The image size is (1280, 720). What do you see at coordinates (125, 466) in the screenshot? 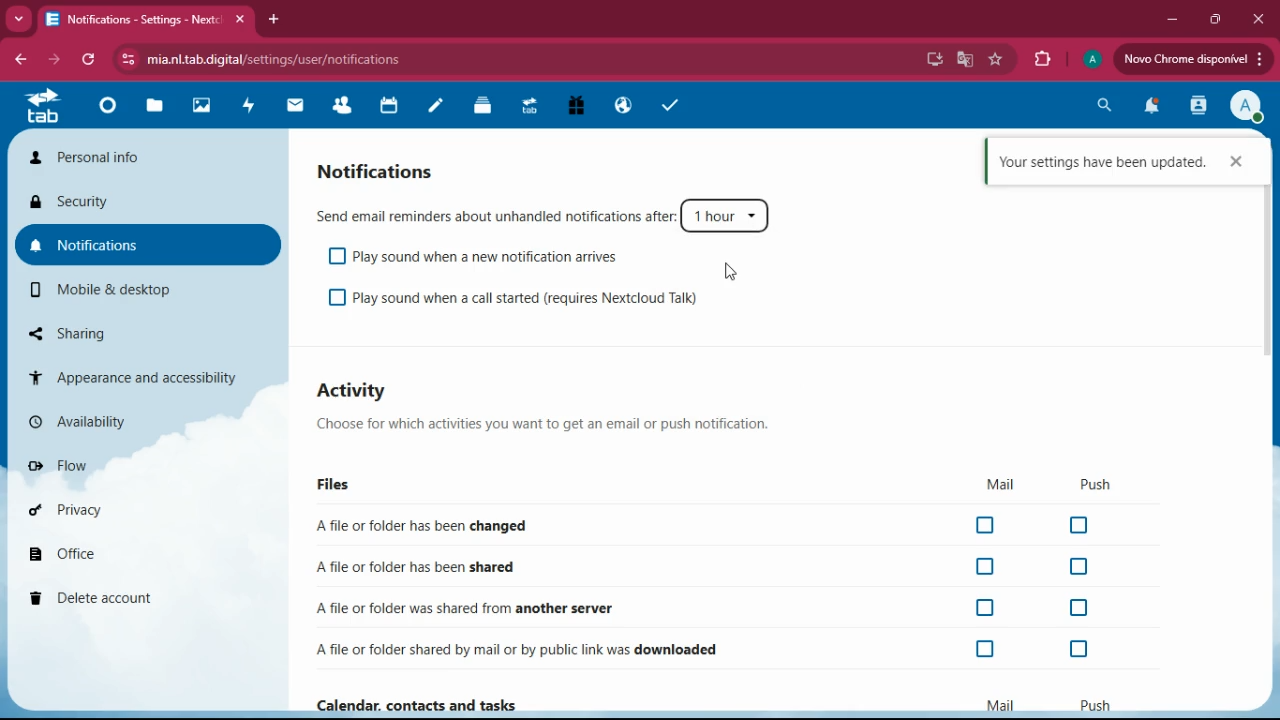
I see `flow` at bounding box center [125, 466].